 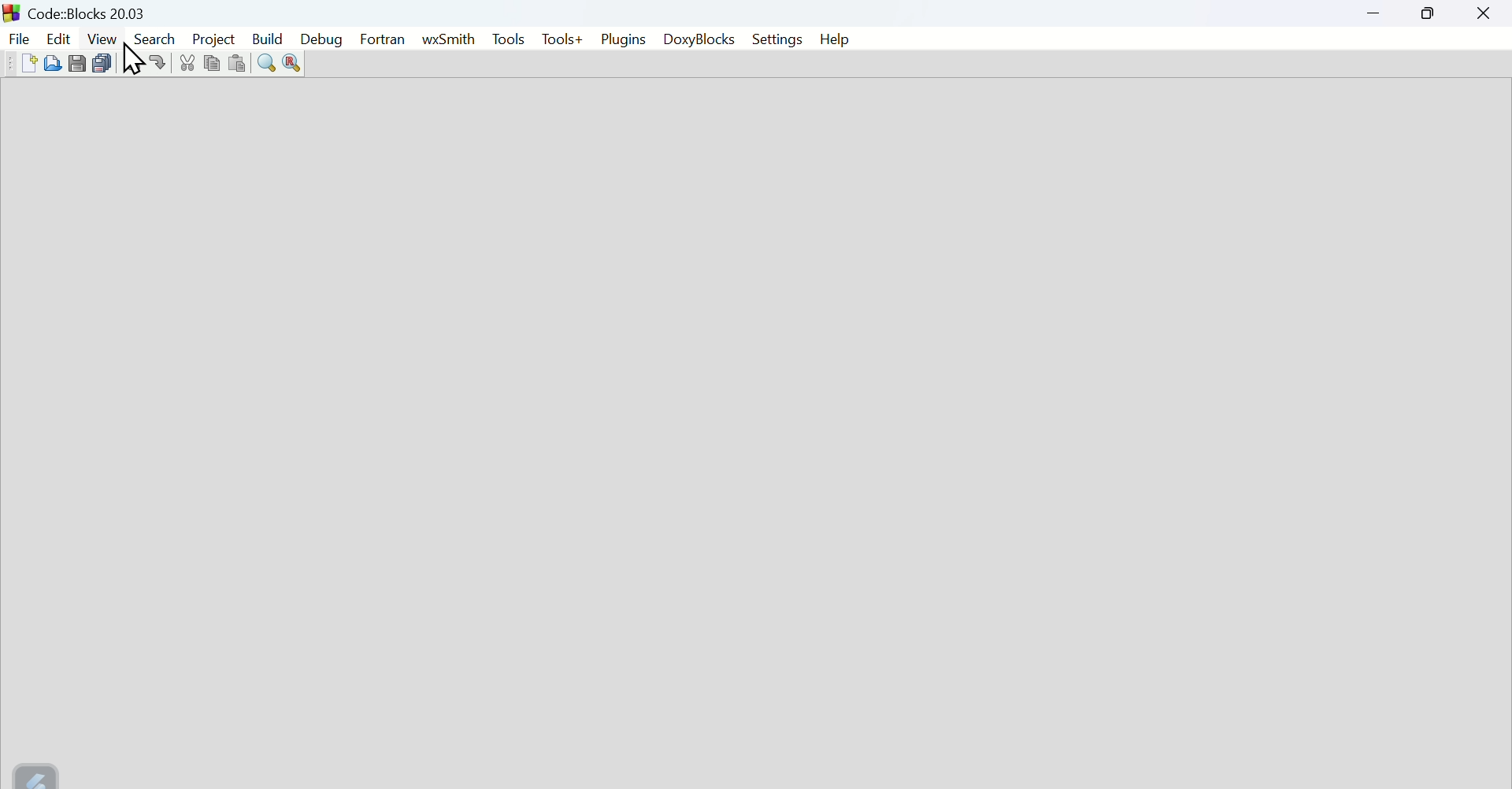 What do you see at coordinates (103, 62) in the screenshot?
I see `Save multiple file` at bounding box center [103, 62].